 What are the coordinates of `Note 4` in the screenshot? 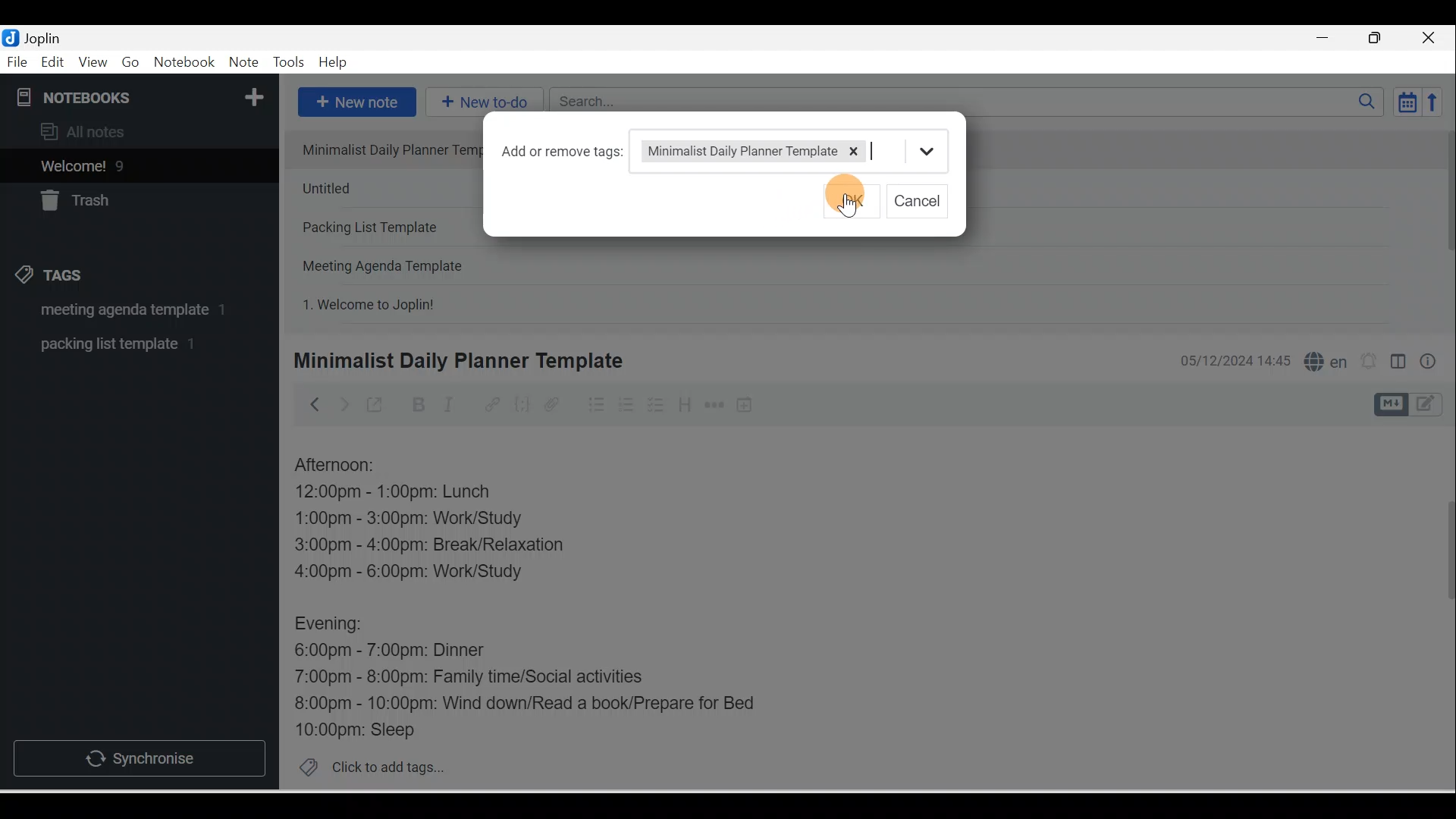 It's located at (403, 262).